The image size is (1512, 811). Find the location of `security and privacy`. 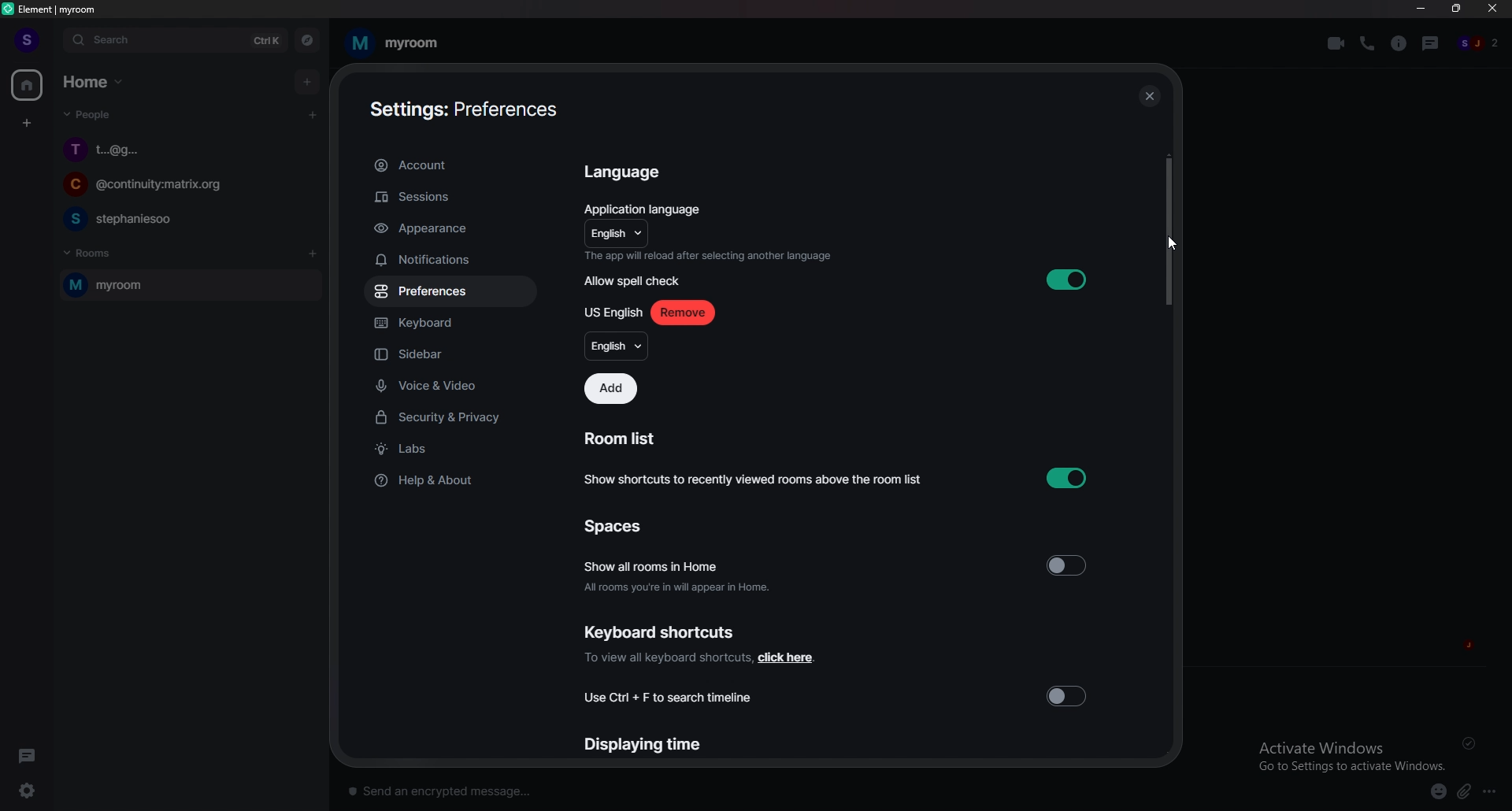

security and privacy is located at coordinates (451, 419).